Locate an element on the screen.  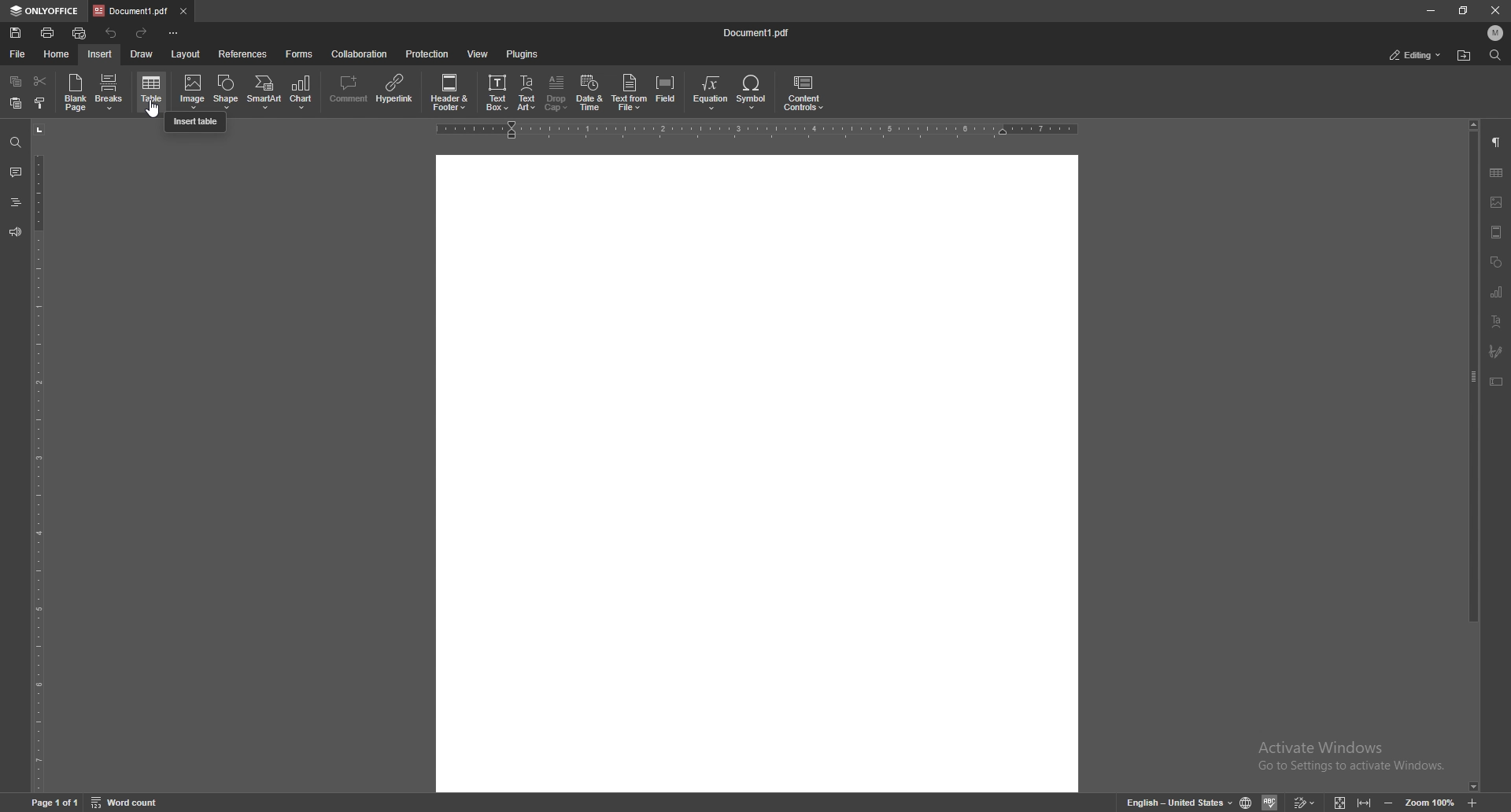
change text language is located at coordinates (1178, 802).